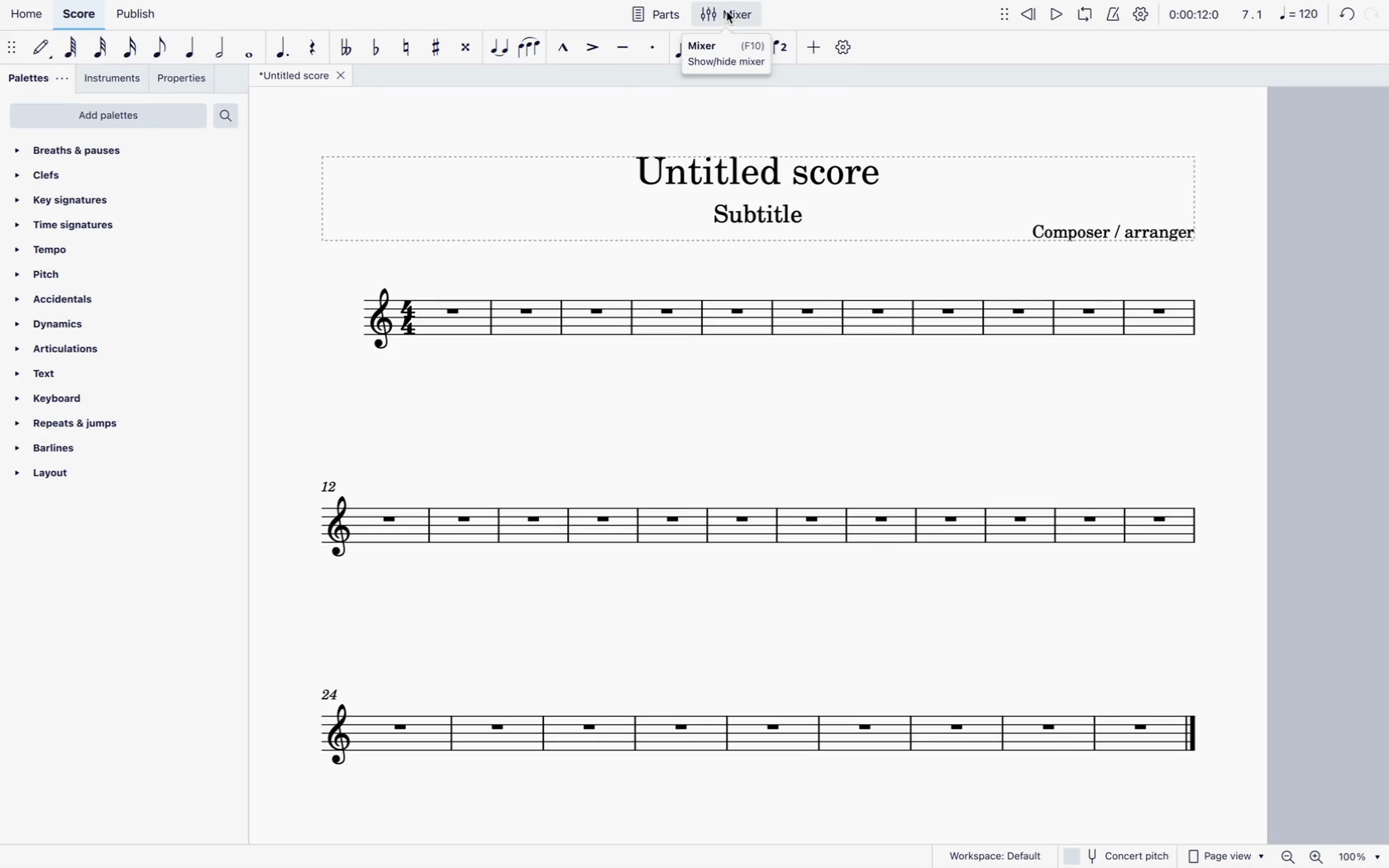  I want to click on eight note, so click(161, 47).